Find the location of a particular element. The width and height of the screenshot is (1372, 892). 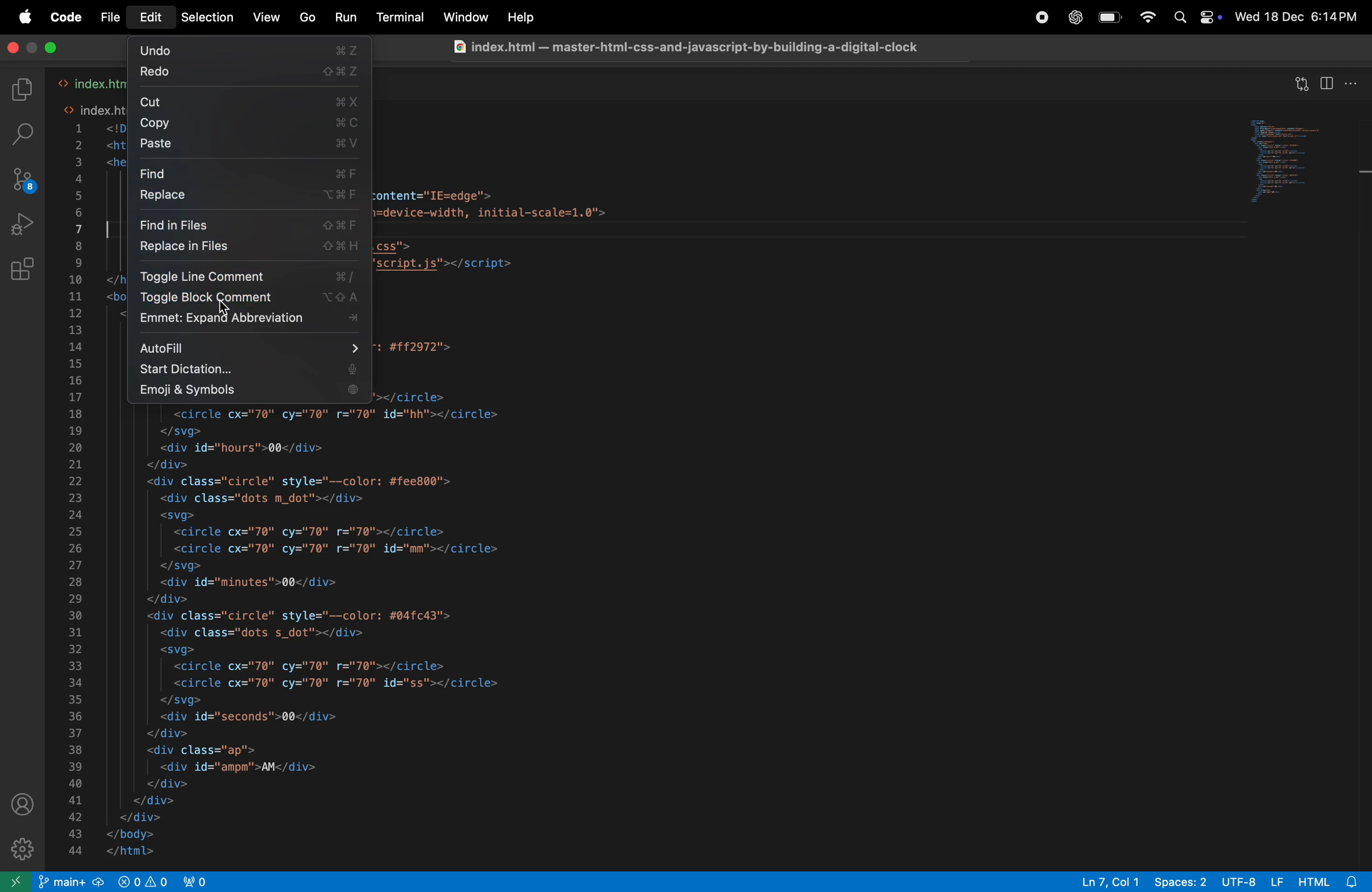

copy is located at coordinates (250, 122).